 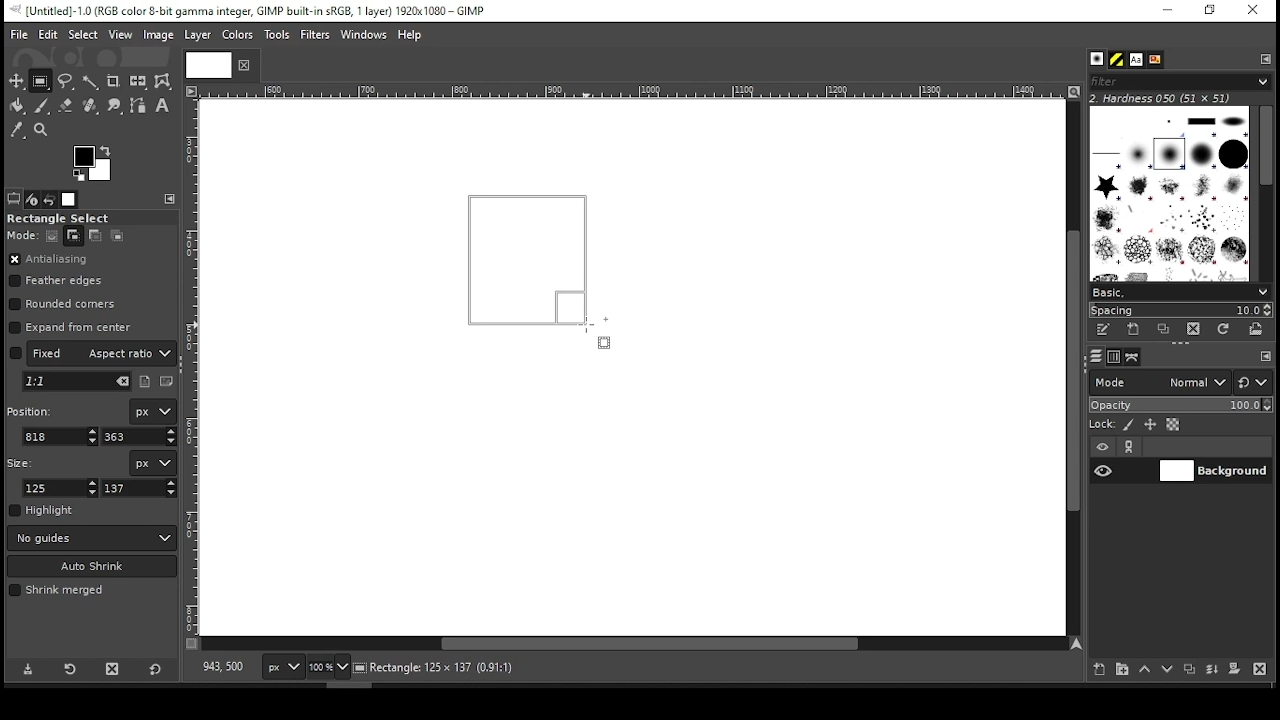 What do you see at coordinates (70, 200) in the screenshot?
I see `images` at bounding box center [70, 200].